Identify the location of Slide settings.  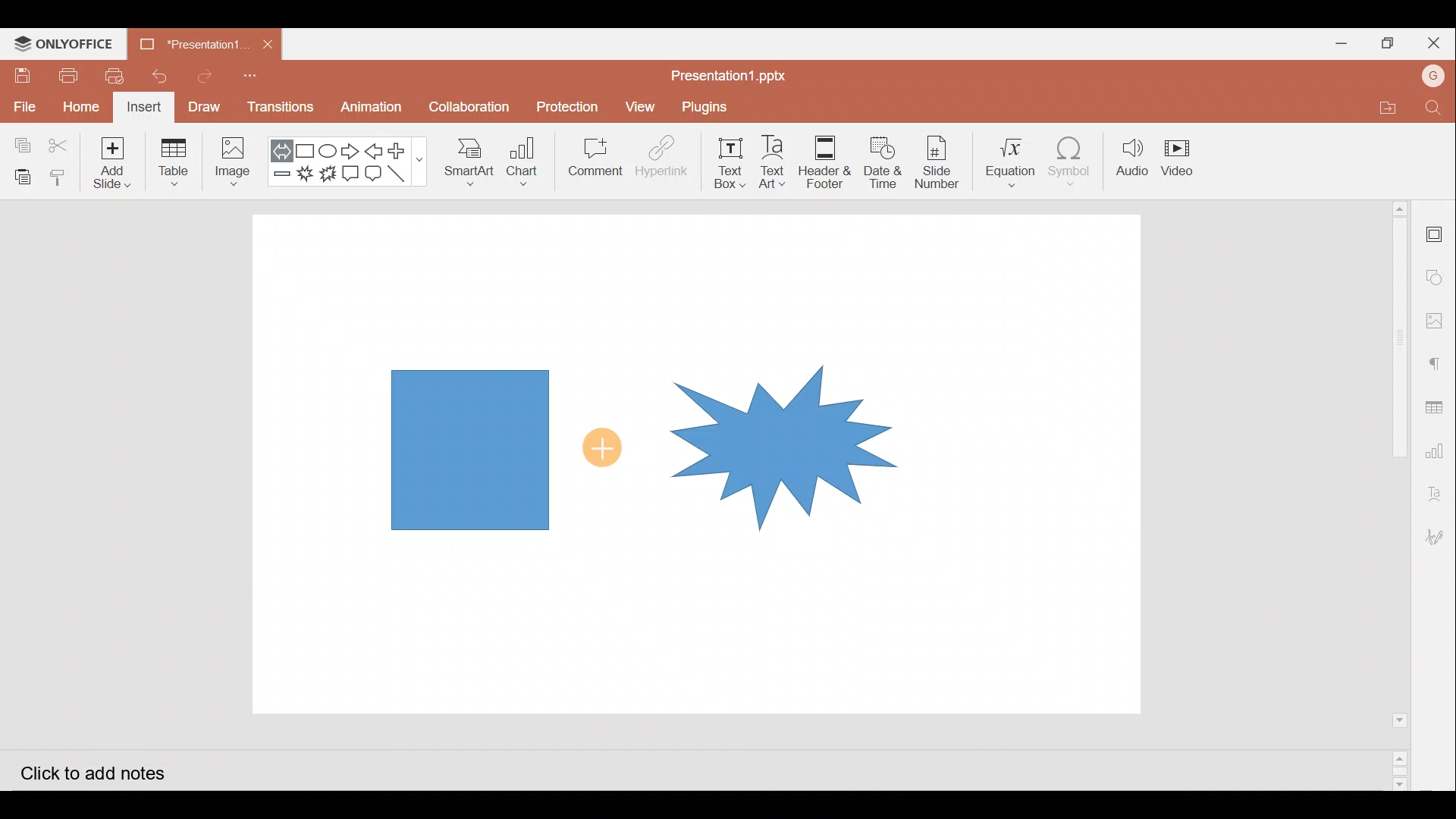
(1435, 229).